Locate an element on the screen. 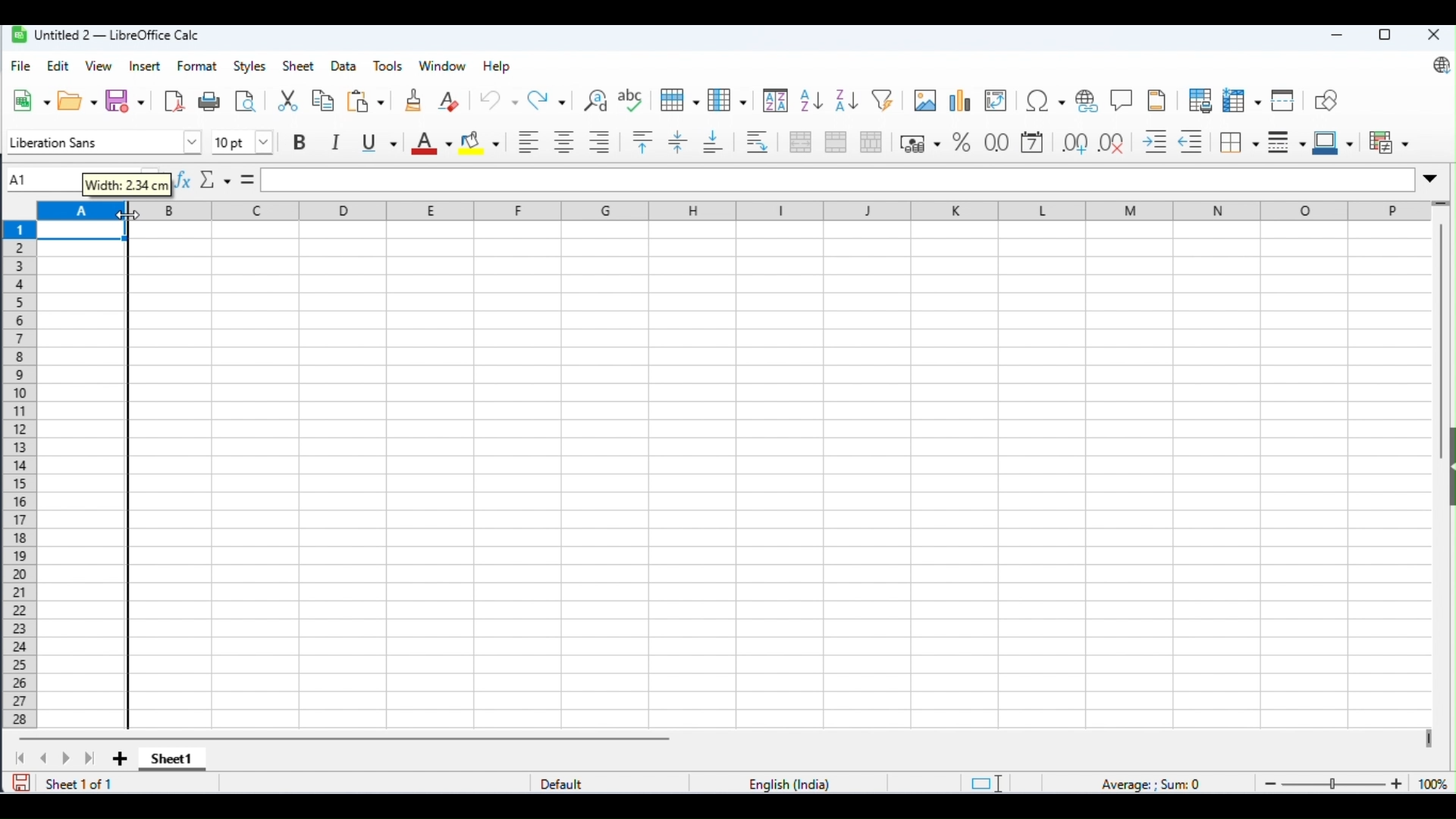 The height and width of the screenshot is (819, 1456). border style is located at coordinates (1288, 140).